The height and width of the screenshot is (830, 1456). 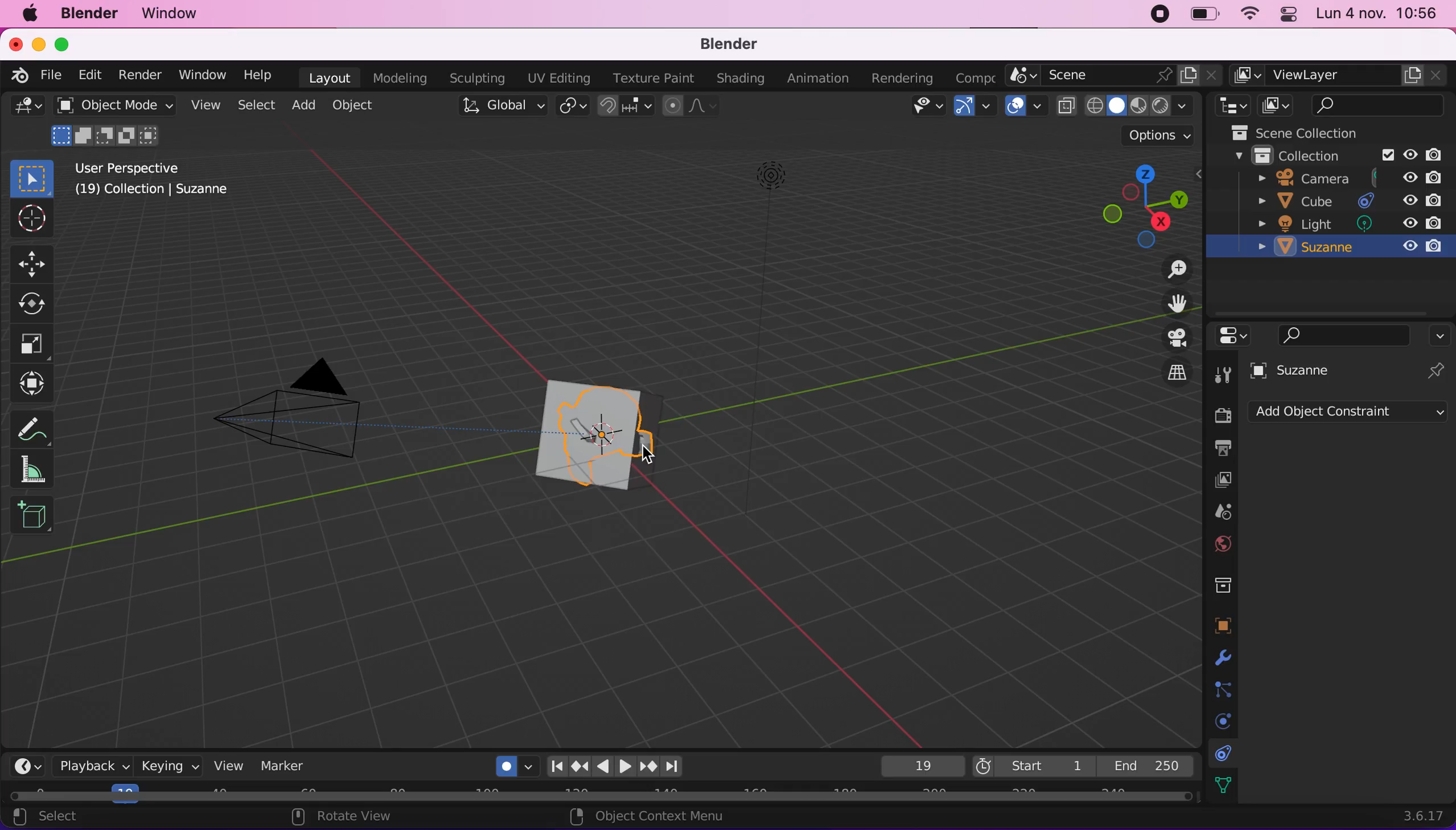 What do you see at coordinates (93, 766) in the screenshot?
I see `playback` at bounding box center [93, 766].